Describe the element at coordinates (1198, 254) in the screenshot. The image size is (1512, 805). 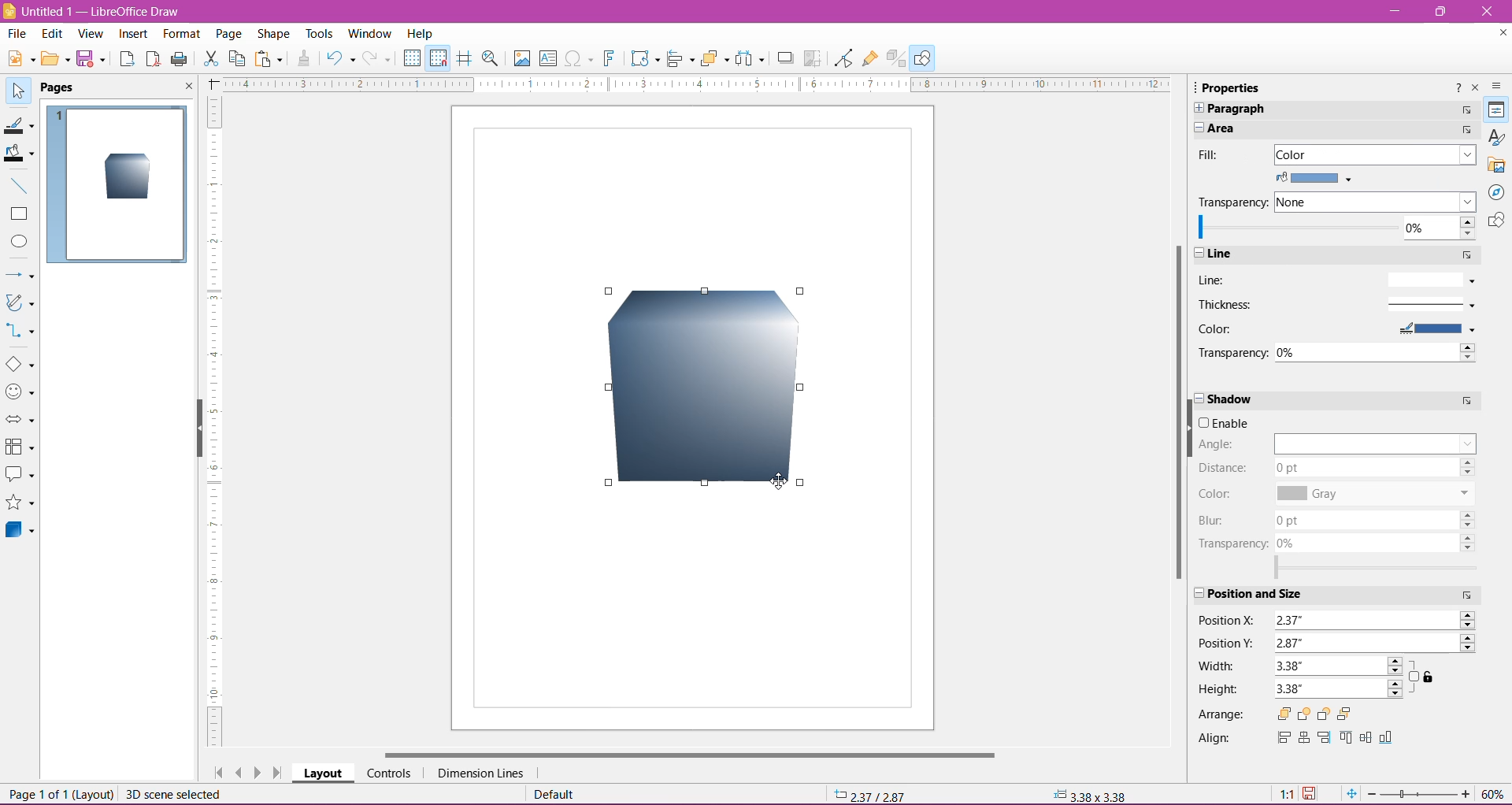
I see `Expand/Close` at that location.